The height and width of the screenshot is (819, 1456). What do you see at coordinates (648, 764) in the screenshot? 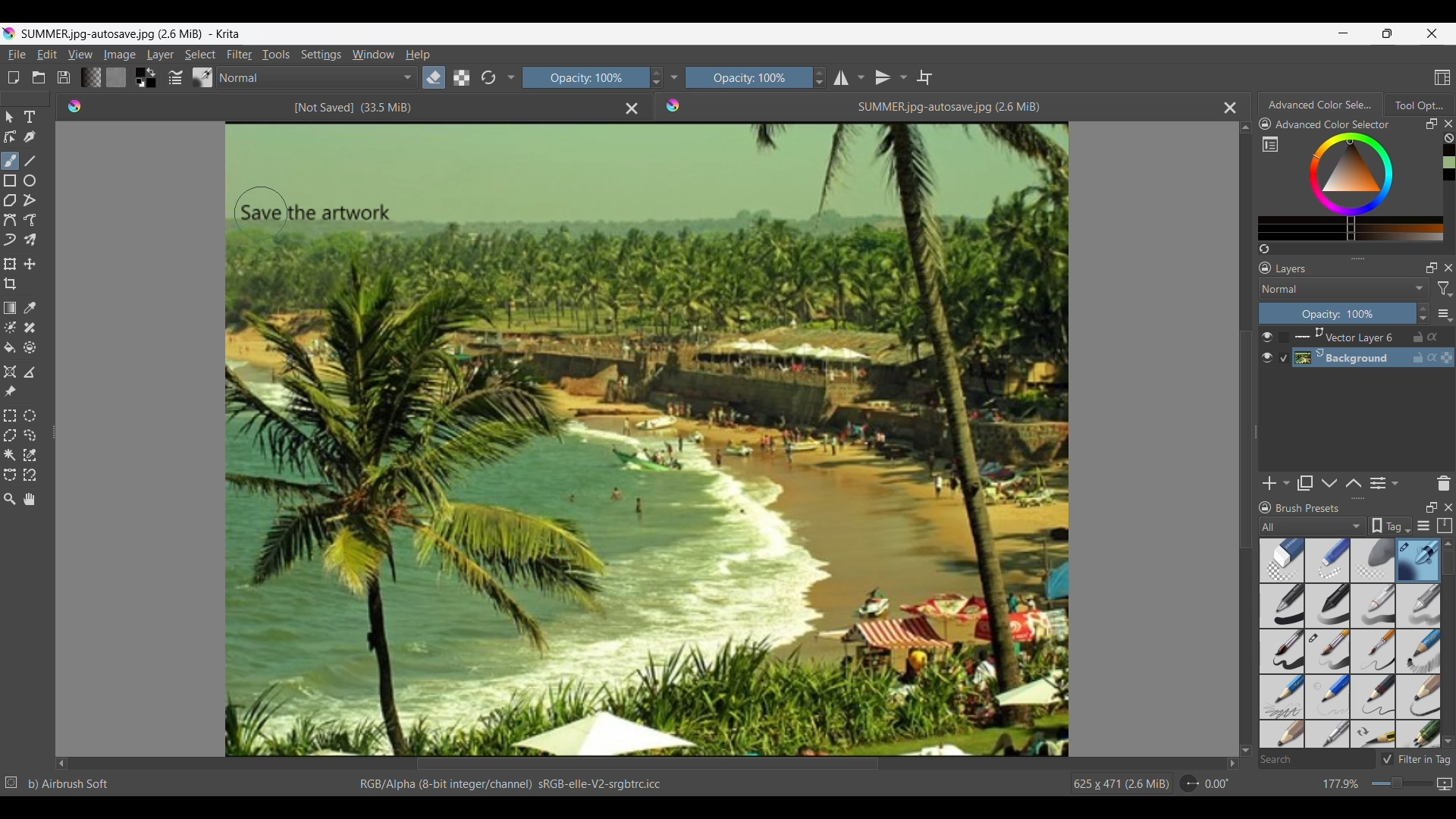
I see `Horizontal slide bar` at bounding box center [648, 764].